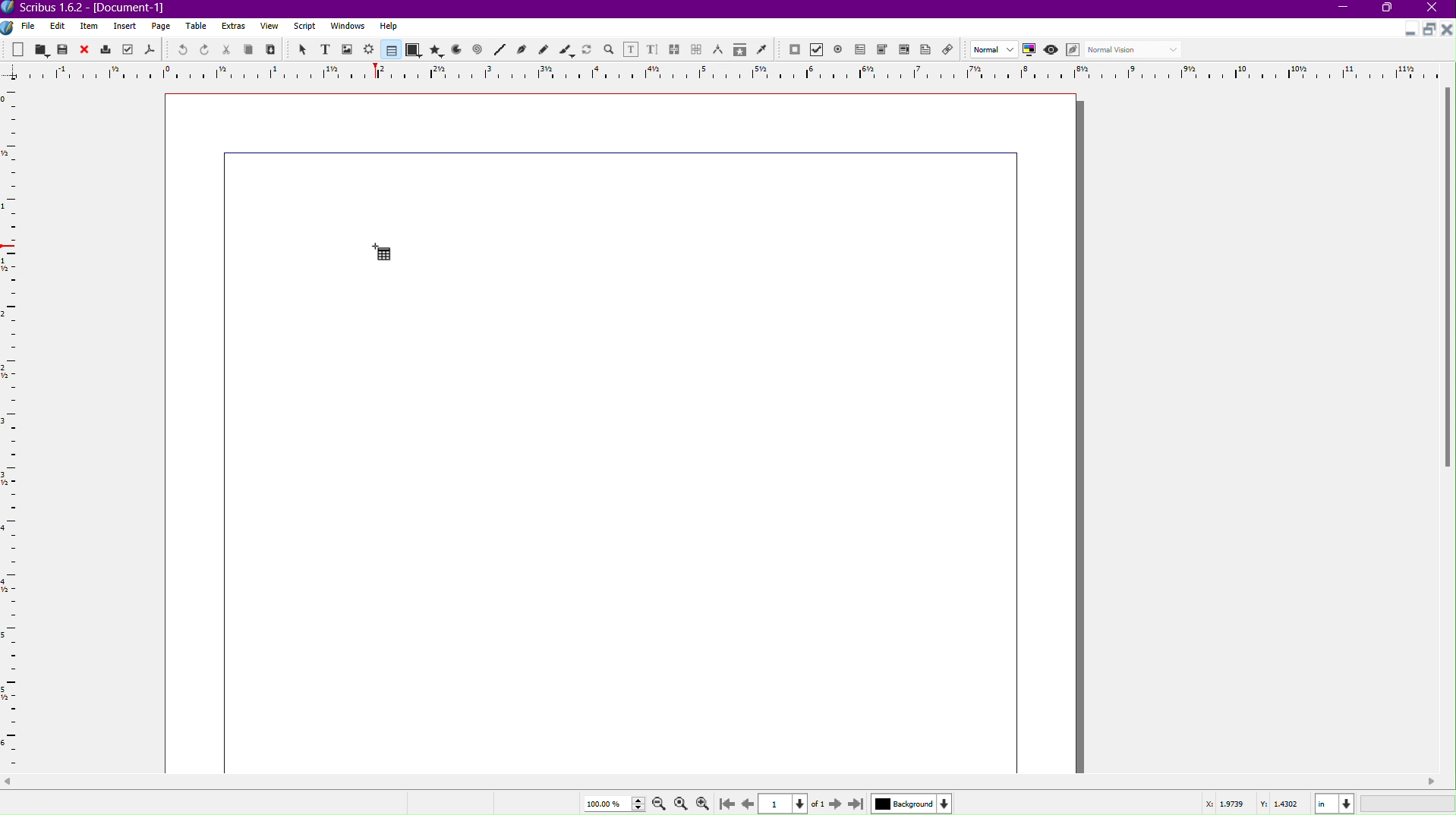 Image resolution: width=1456 pixels, height=815 pixels. I want to click on Page Number, so click(785, 804).